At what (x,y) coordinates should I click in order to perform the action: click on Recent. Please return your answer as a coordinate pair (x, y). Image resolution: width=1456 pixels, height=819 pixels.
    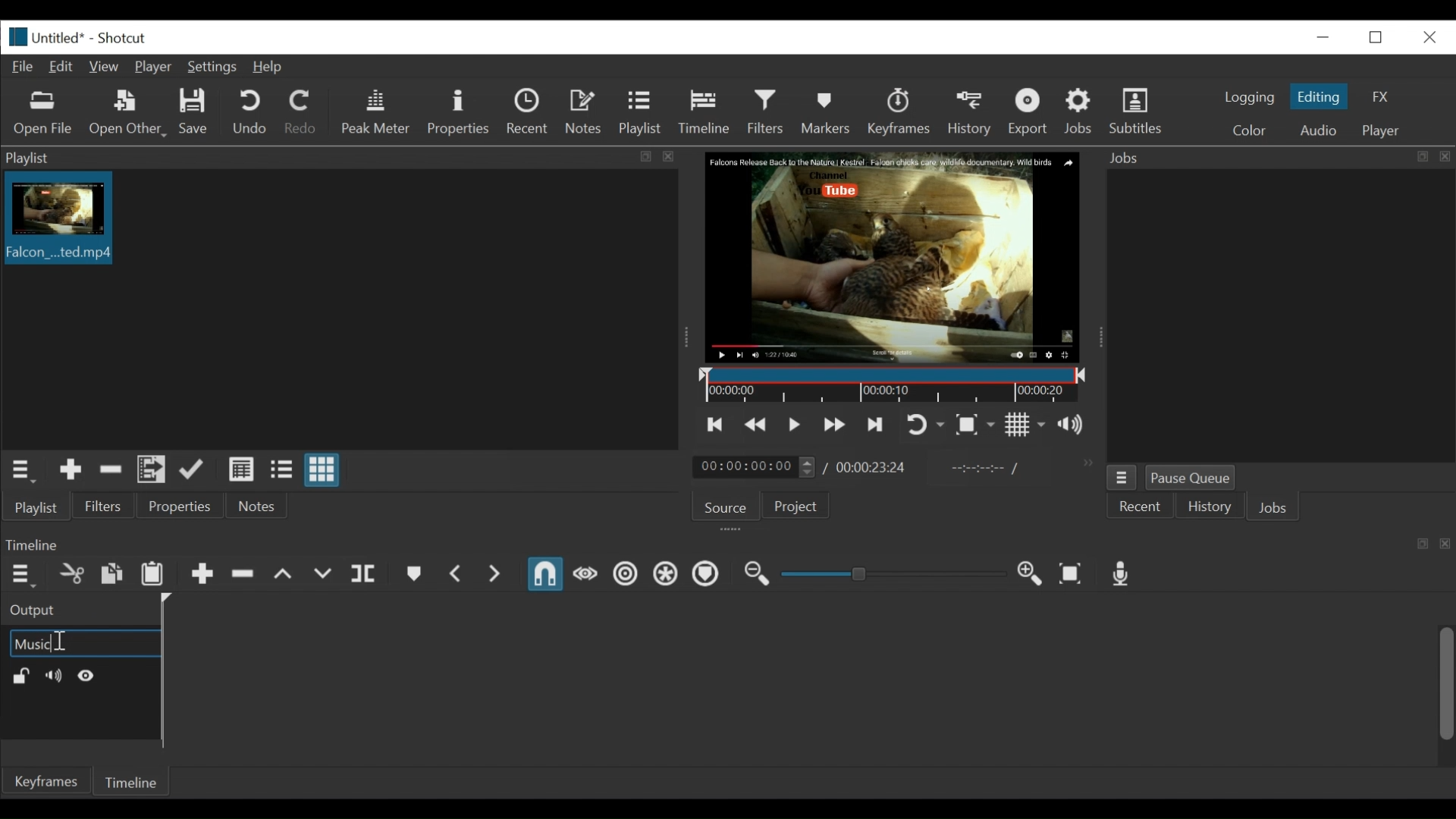
    Looking at the image, I should click on (1140, 507).